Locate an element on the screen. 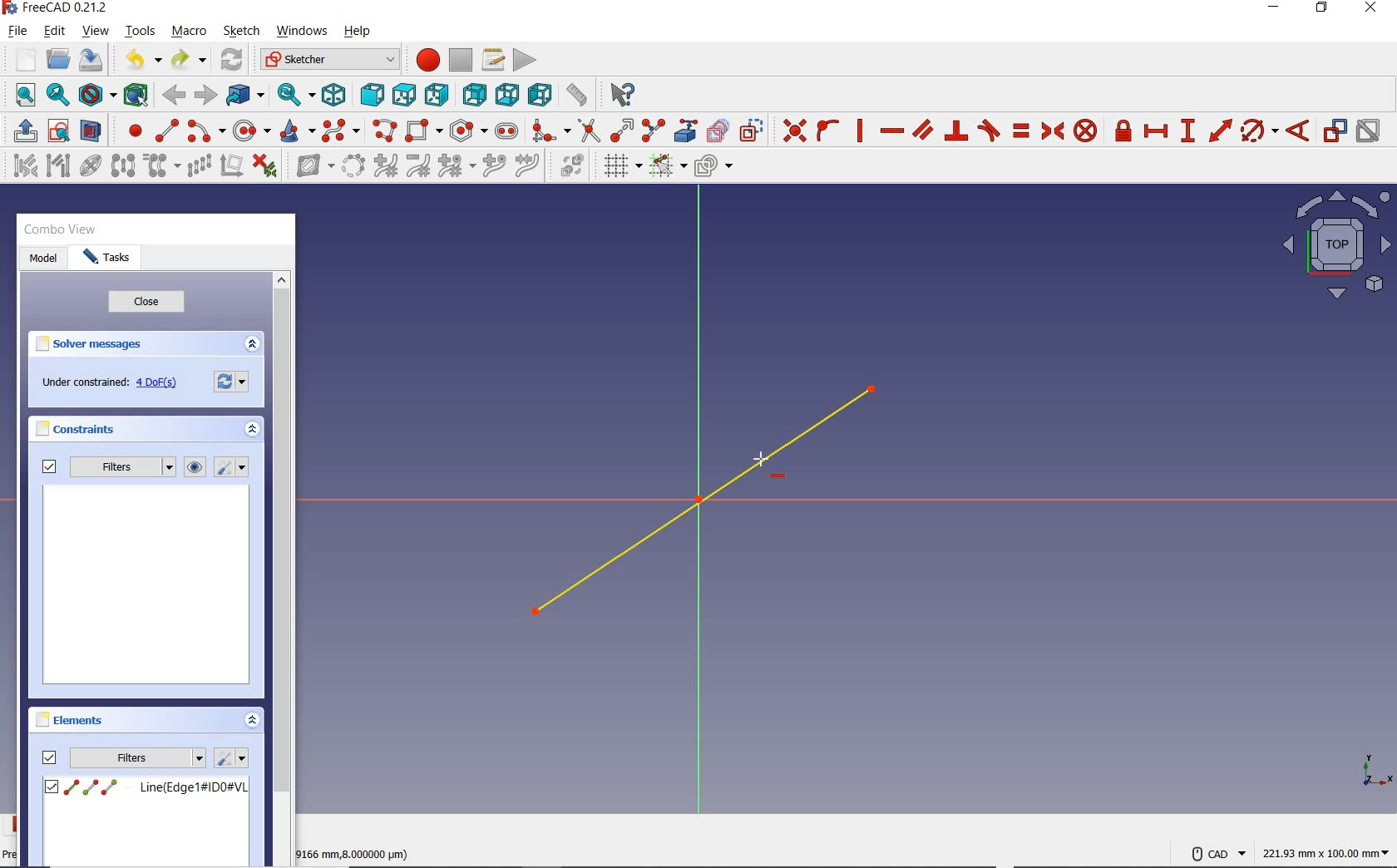  COLLAPSE is located at coordinates (251, 344).